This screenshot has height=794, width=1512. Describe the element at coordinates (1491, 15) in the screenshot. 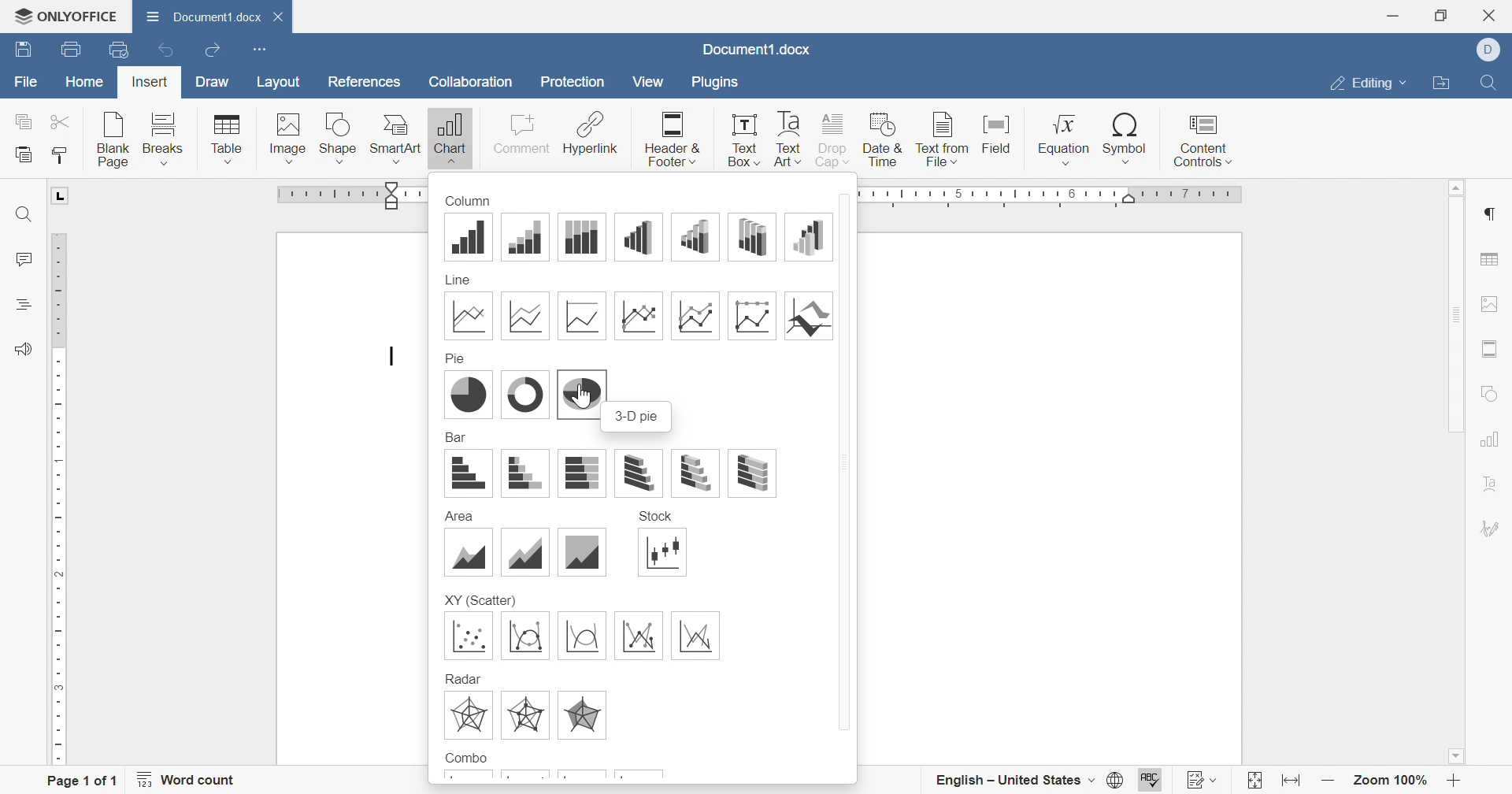

I see `Close` at that location.